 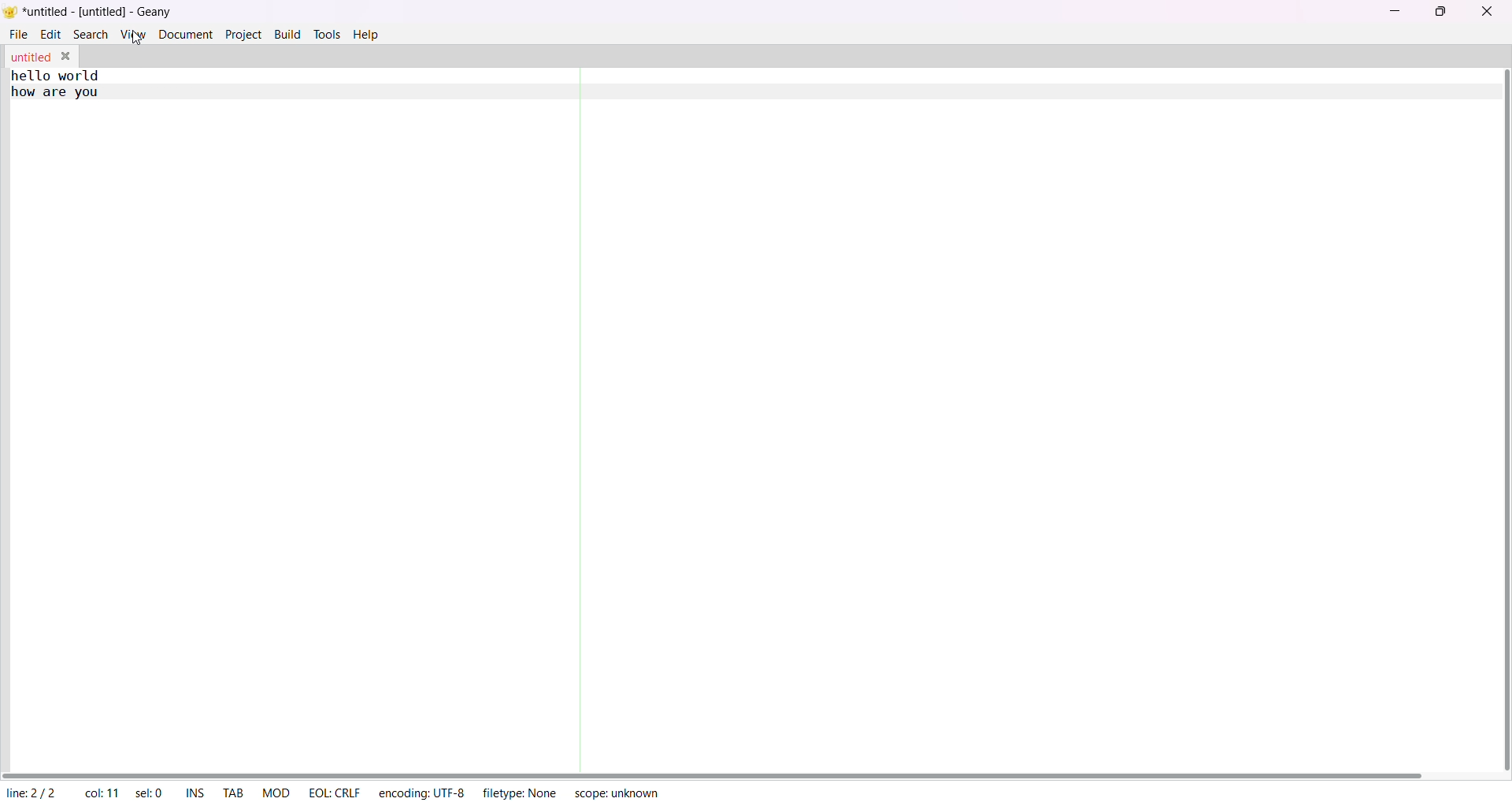 What do you see at coordinates (1501, 419) in the screenshot?
I see `vertical scroll bar` at bounding box center [1501, 419].